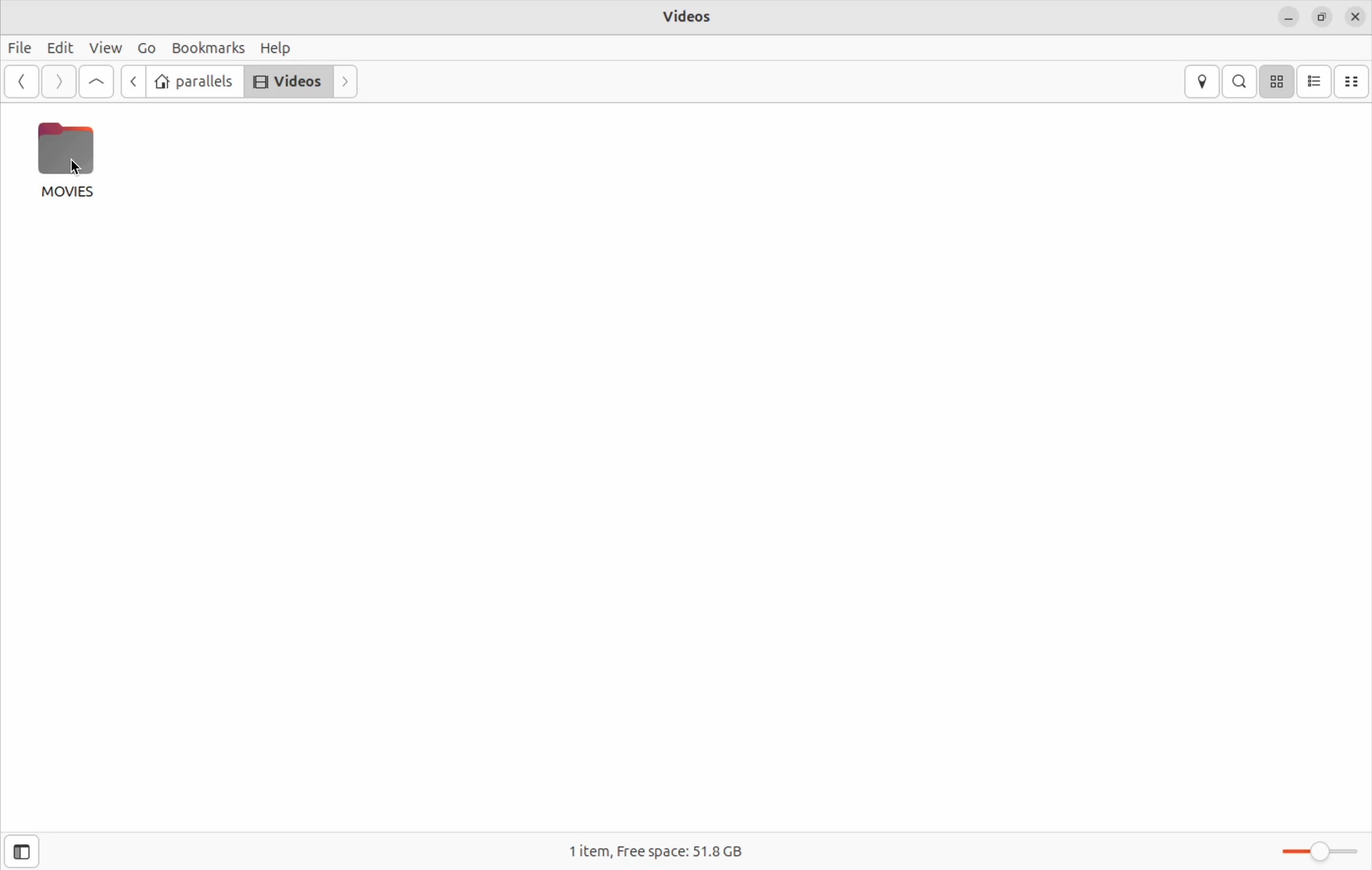  I want to click on minimize, so click(1286, 15).